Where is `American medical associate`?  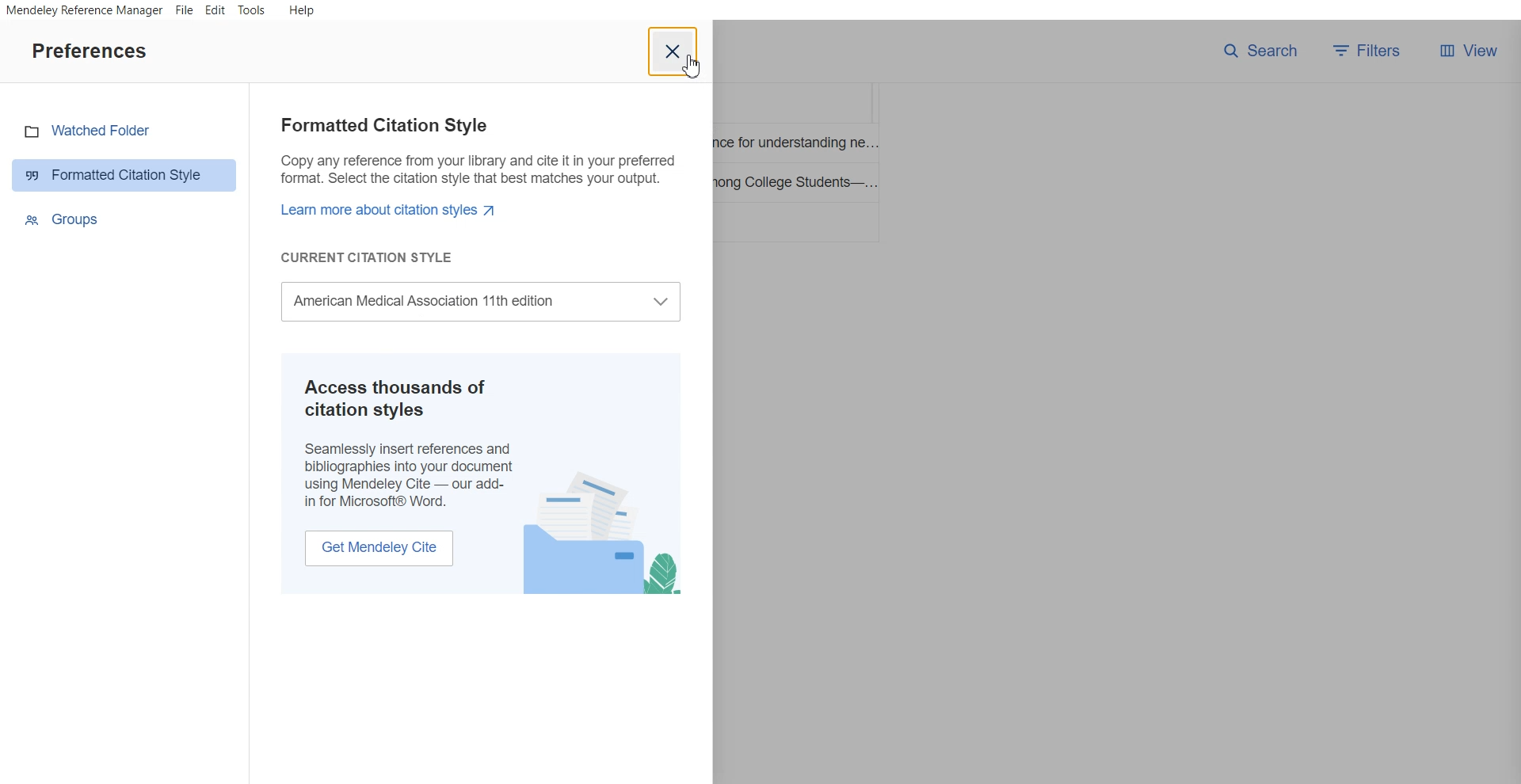 American medical associate is located at coordinates (486, 302).